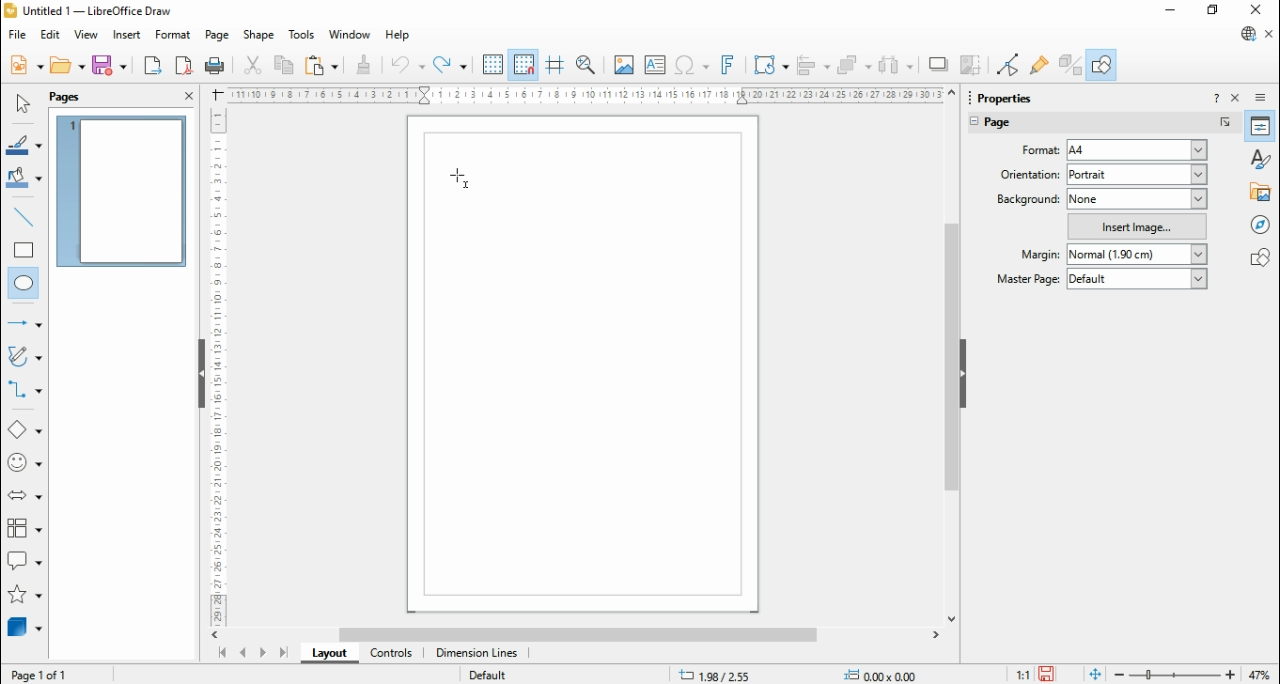 This screenshot has height=684, width=1280. Describe the element at coordinates (728, 64) in the screenshot. I see `insert fontwork text` at that location.